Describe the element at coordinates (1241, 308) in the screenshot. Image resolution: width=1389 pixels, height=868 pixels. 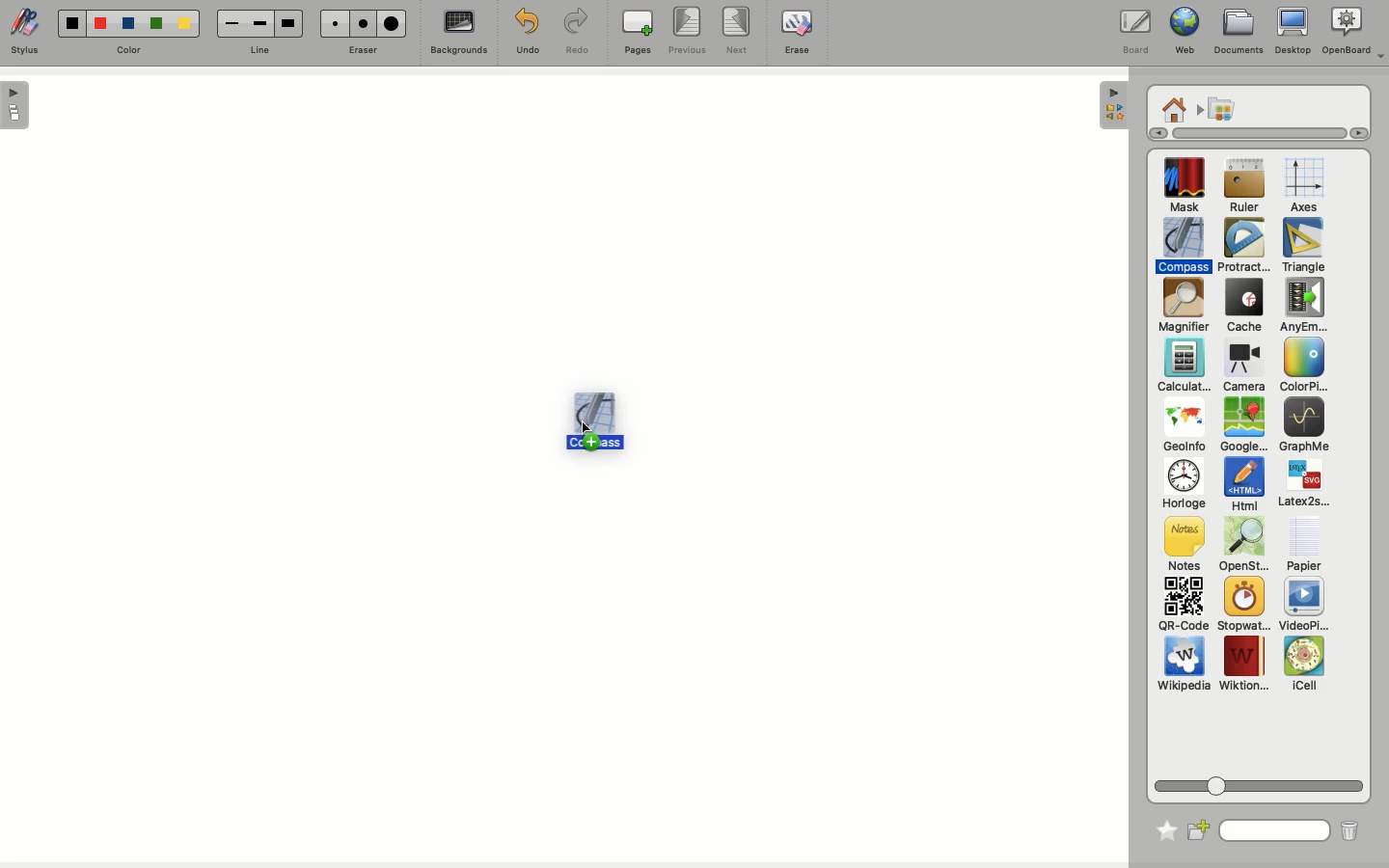
I see `Cache` at that location.